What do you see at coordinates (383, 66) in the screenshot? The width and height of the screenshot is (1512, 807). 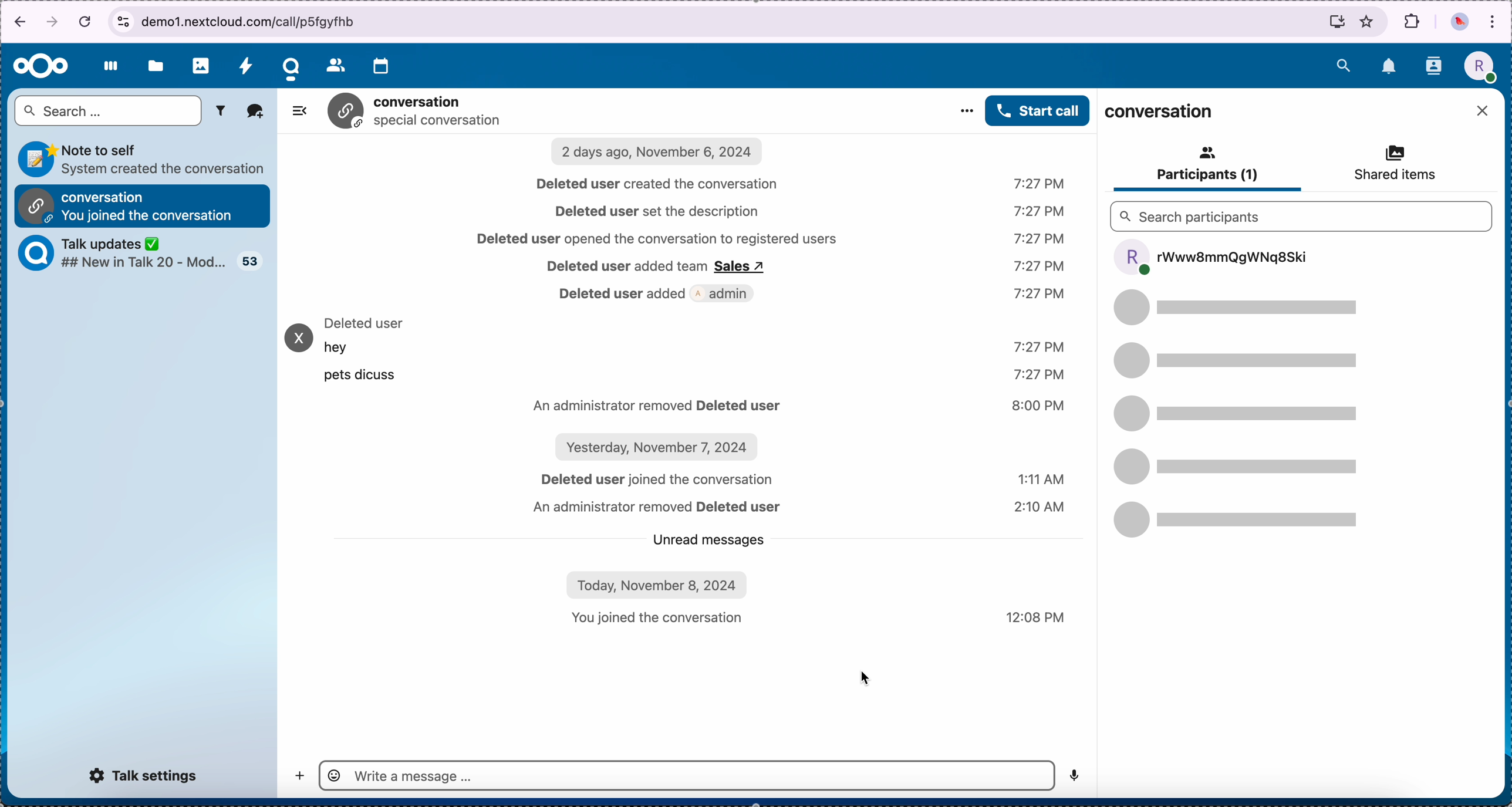 I see `calendar` at bounding box center [383, 66].